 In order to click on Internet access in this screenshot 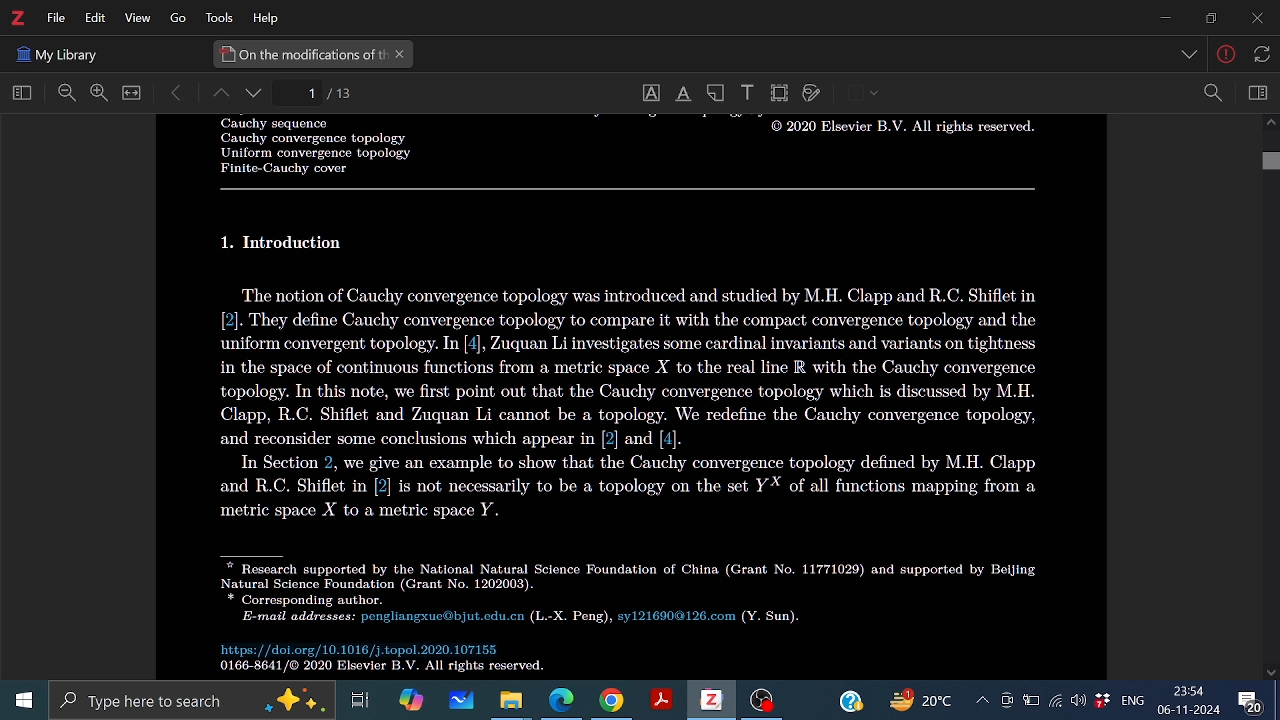, I will do `click(1056, 701)`.